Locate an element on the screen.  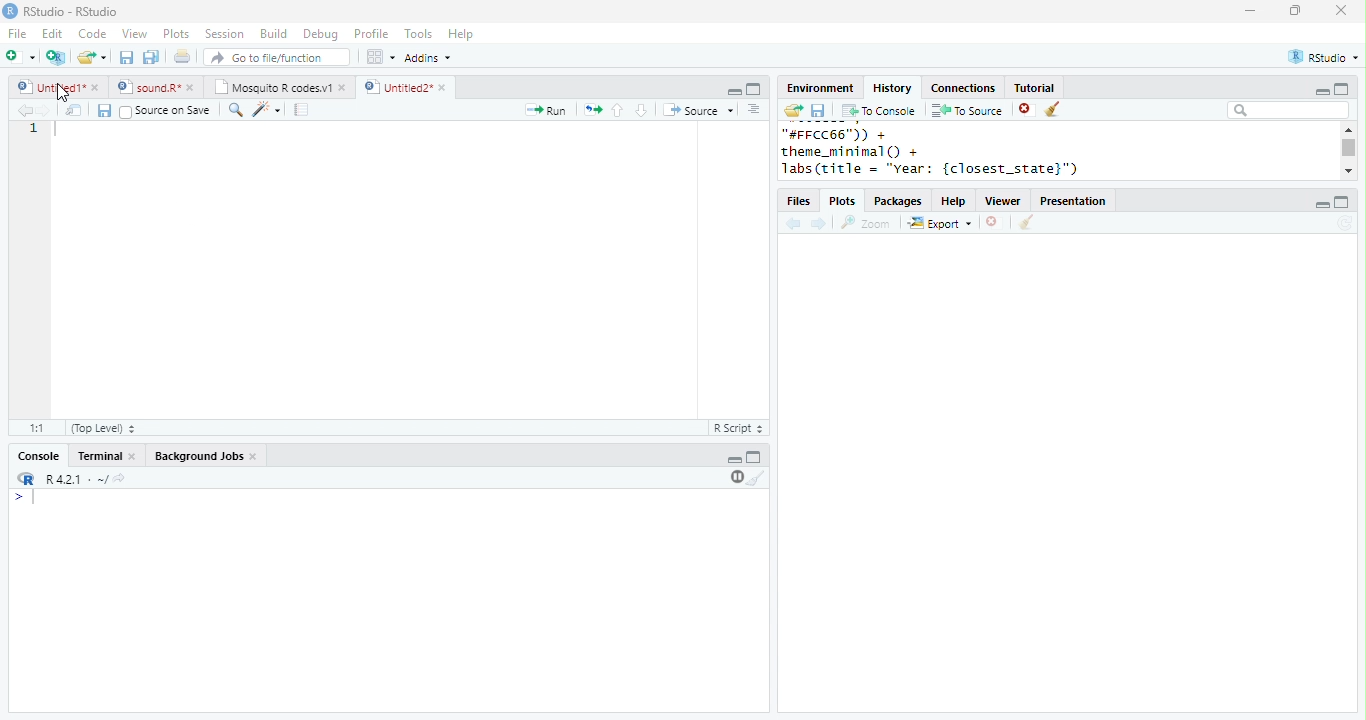
Terminal is located at coordinates (98, 456).